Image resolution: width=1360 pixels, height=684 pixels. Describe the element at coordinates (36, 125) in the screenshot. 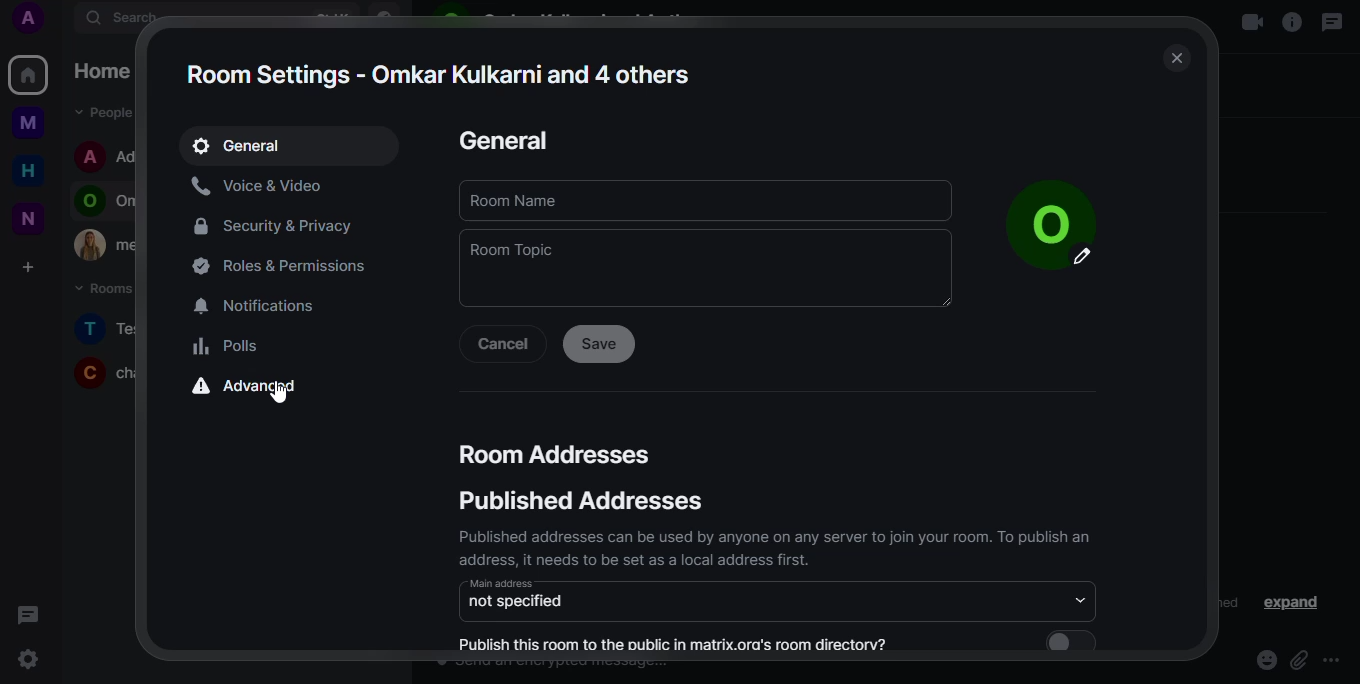

I see `` at that location.